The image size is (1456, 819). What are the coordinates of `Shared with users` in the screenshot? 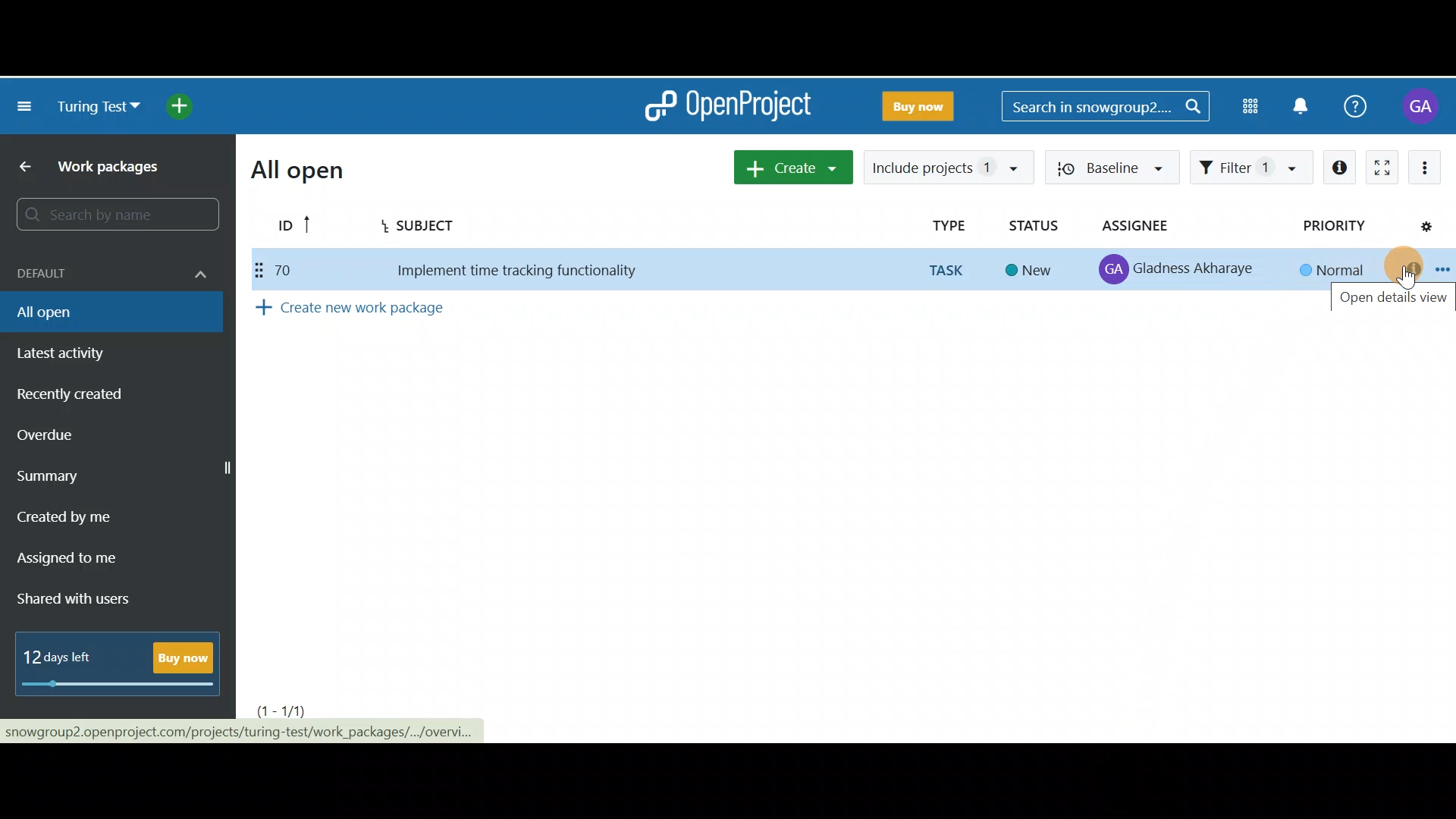 It's located at (86, 600).